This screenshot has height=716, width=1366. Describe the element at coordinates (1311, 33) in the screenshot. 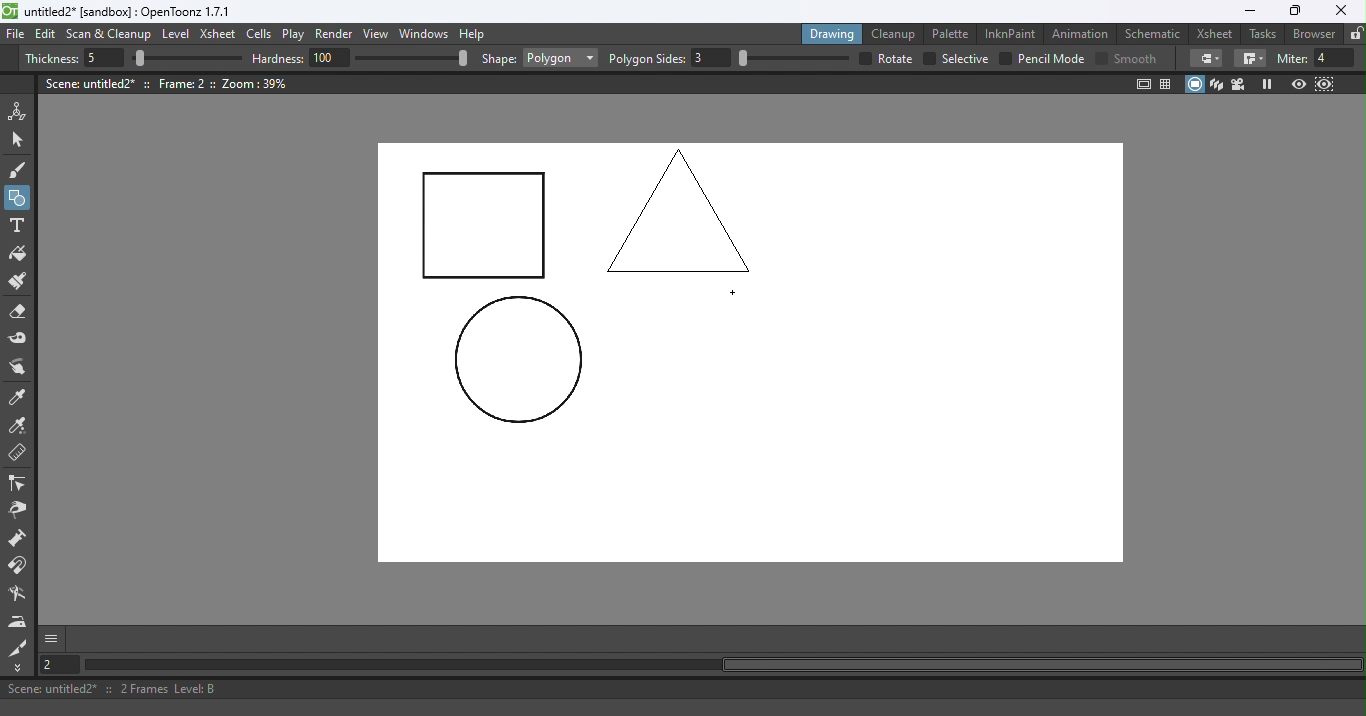

I see `Browser` at that location.